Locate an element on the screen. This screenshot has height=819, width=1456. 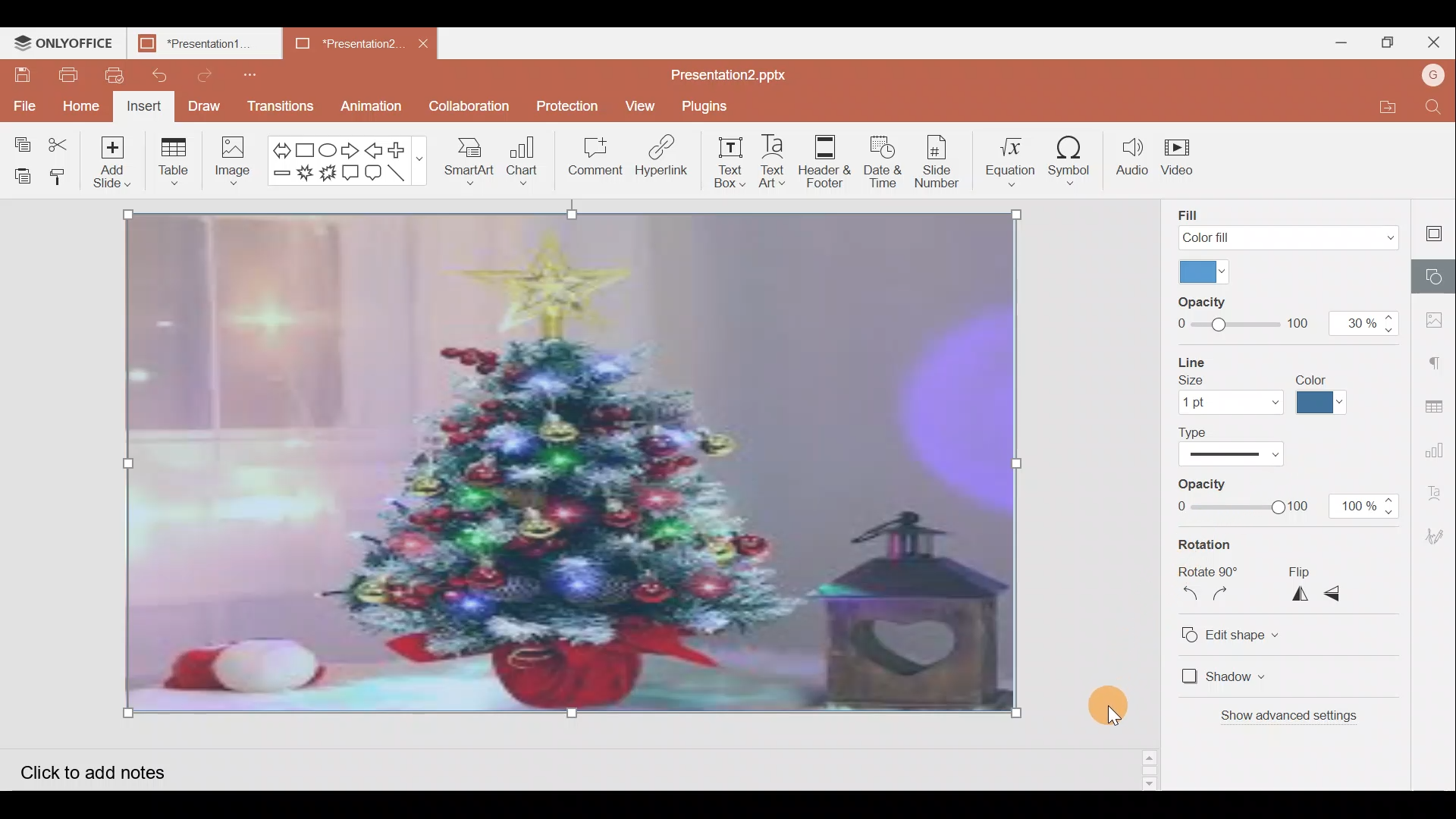
Copy style is located at coordinates (61, 176).